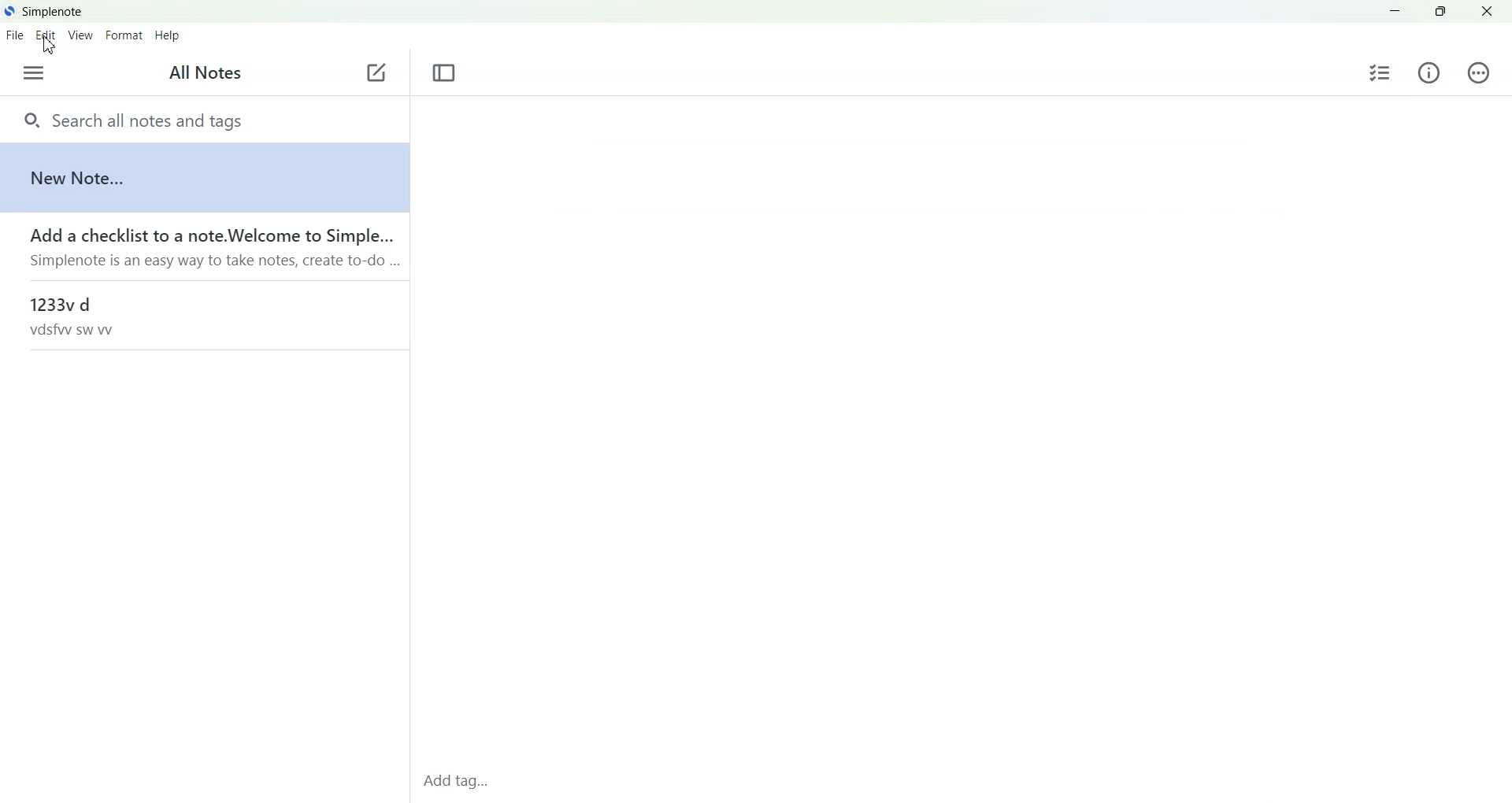 Image resolution: width=1512 pixels, height=803 pixels. What do you see at coordinates (46, 35) in the screenshot?
I see `Edit` at bounding box center [46, 35].